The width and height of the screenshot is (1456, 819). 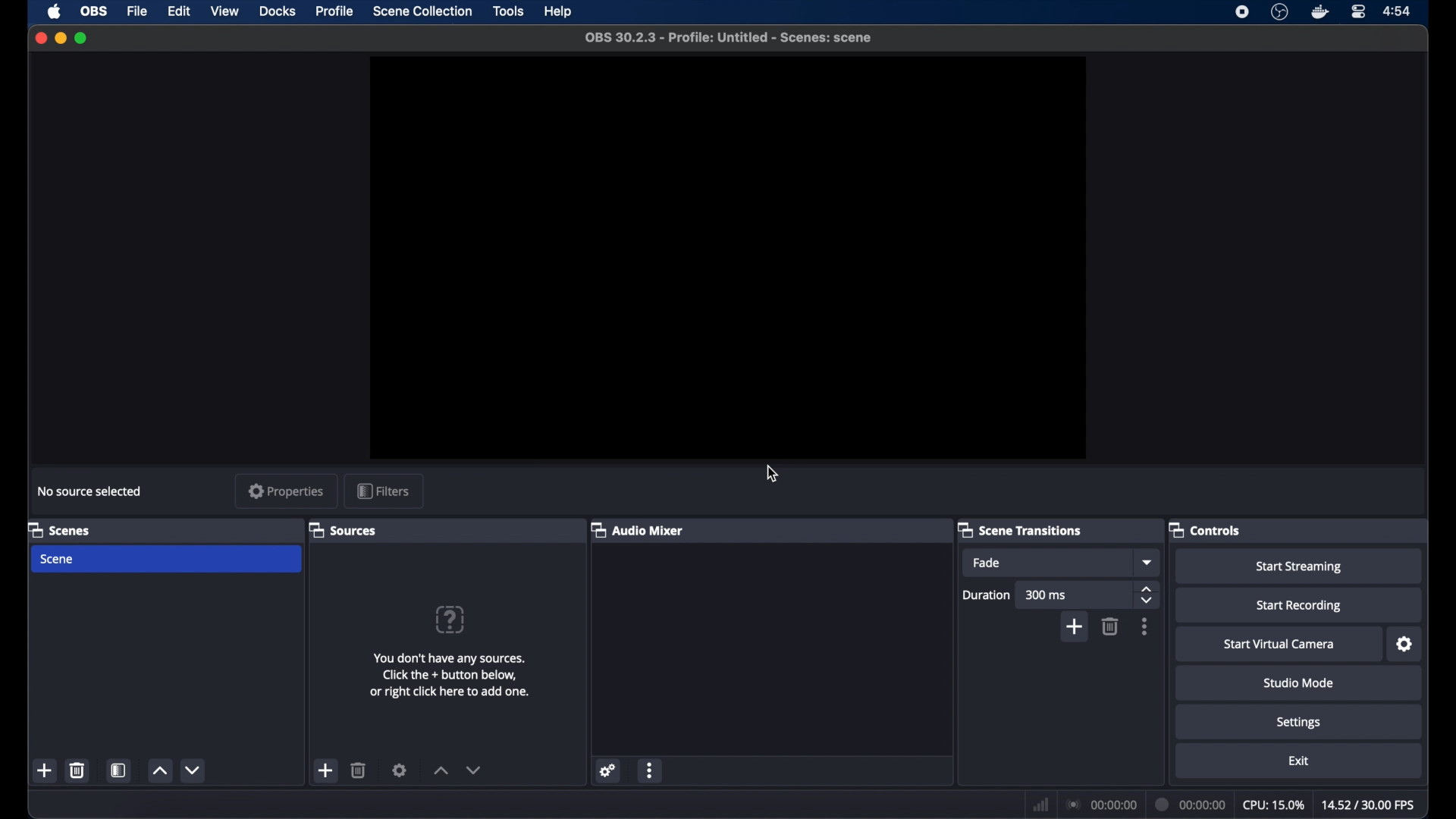 What do you see at coordinates (1281, 642) in the screenshot?
I see `start virtual camera` at bounding box center [1281, 642].